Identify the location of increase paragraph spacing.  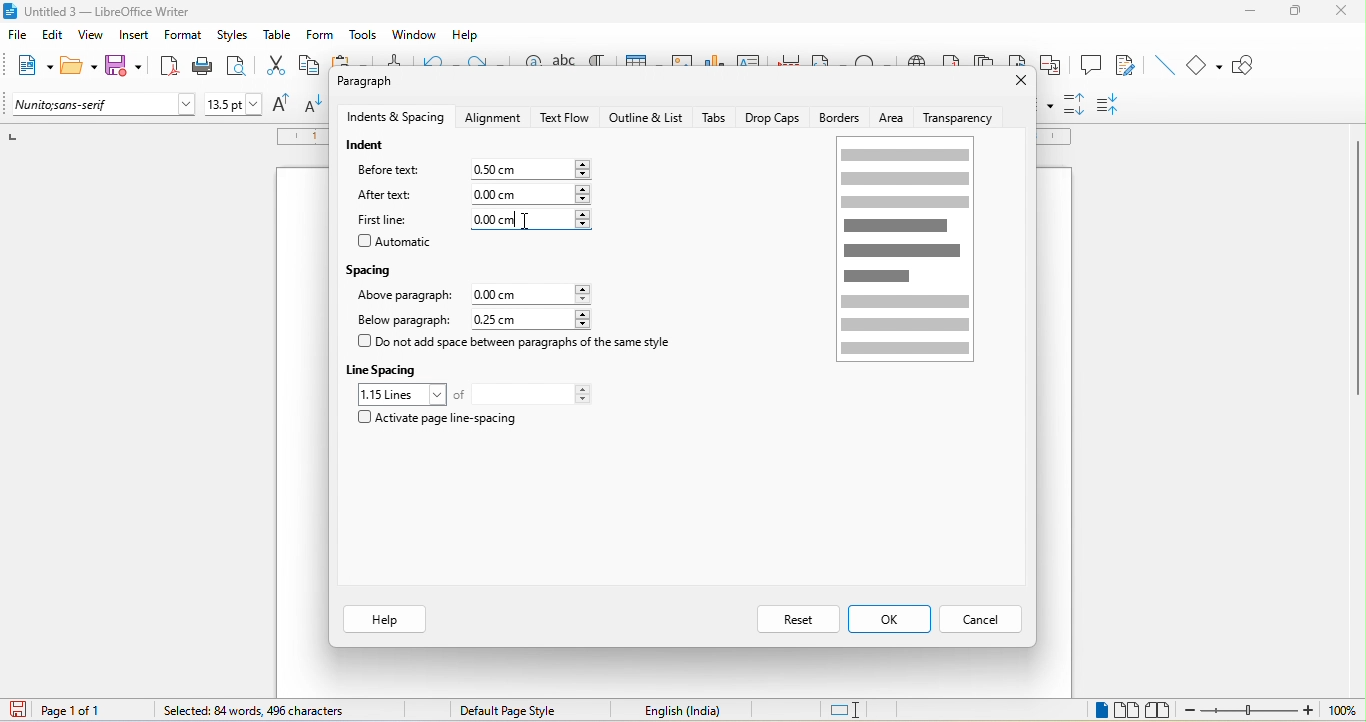
(1073, 102).